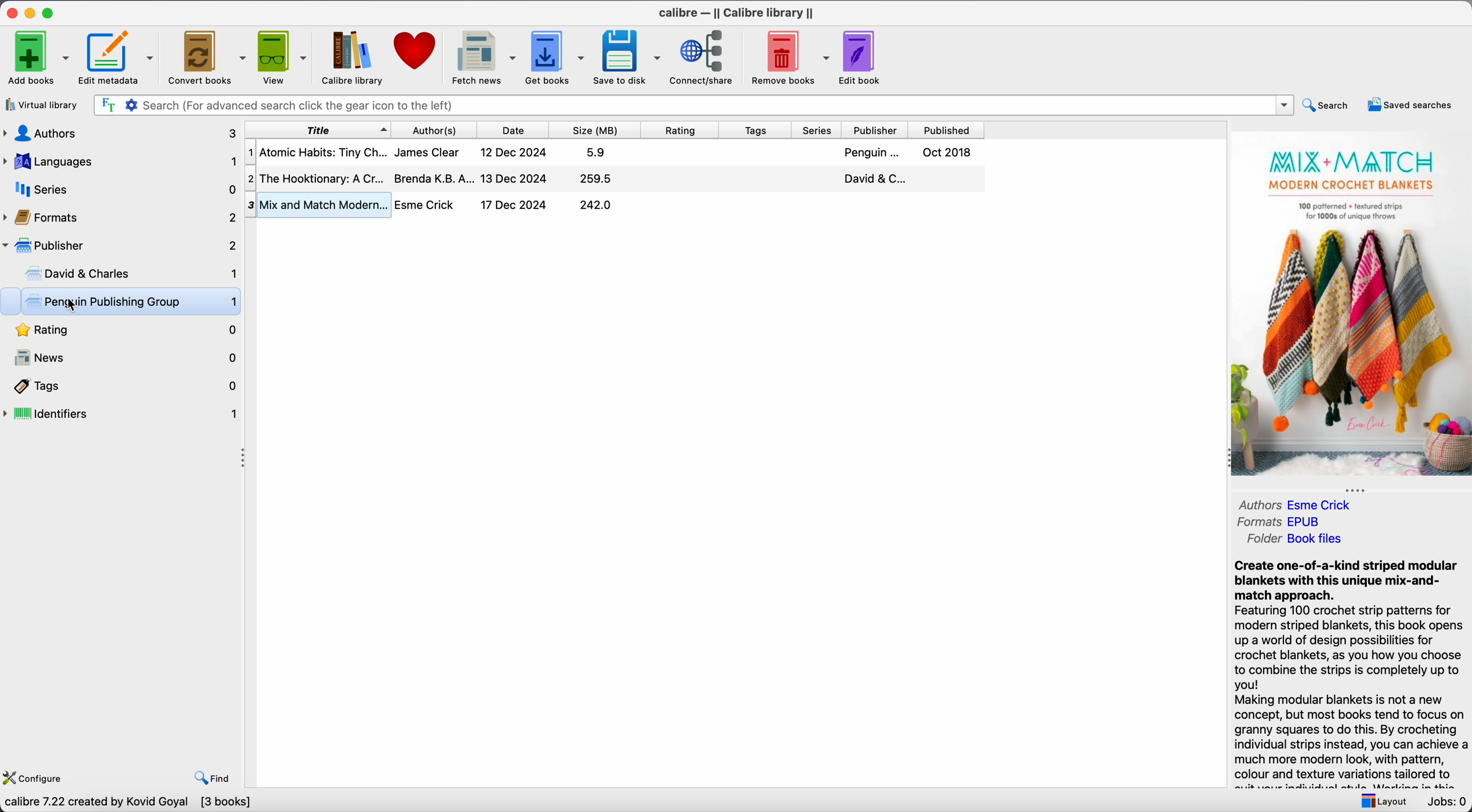 This screenshot has height=812, width=1472. What do you see at coordinates (819, 130) in the screenshot?
I see `series` at bounding box center [819, 130].